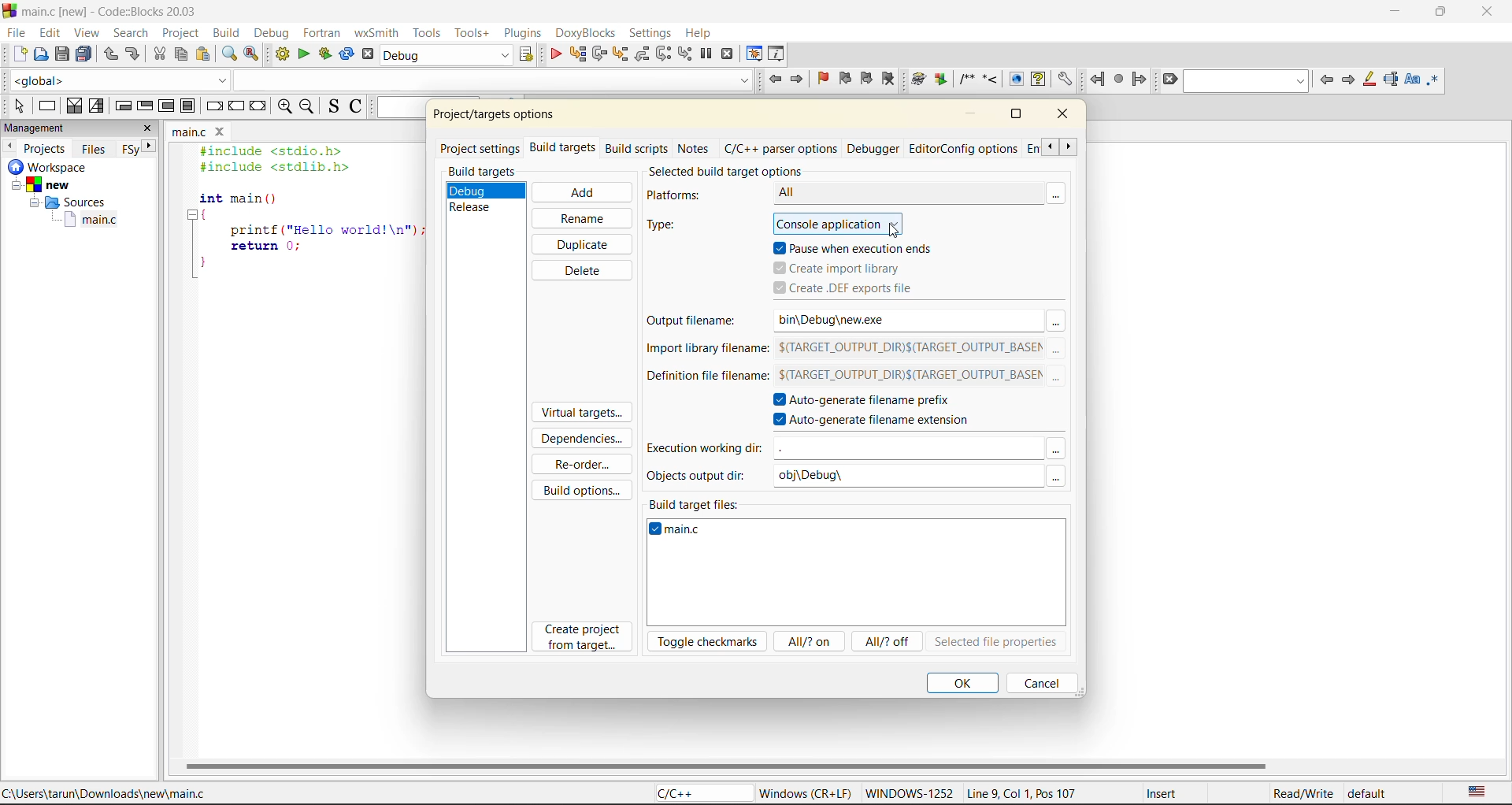  Describe the element at coordinates (220, 131) in the screenshot. I see `close` at that location.